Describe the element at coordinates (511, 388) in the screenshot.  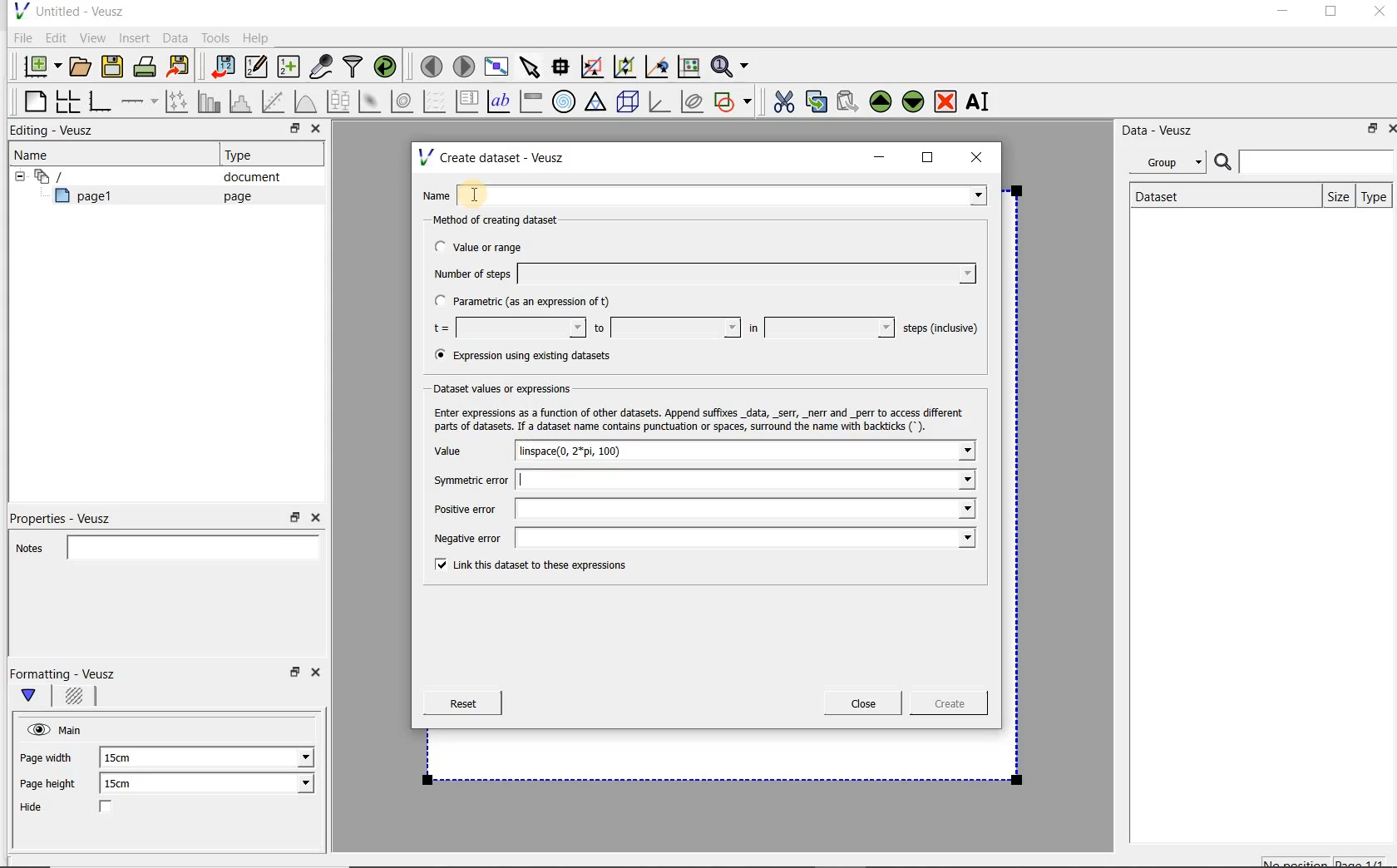
I see `Dataset values or expressions` at that location.